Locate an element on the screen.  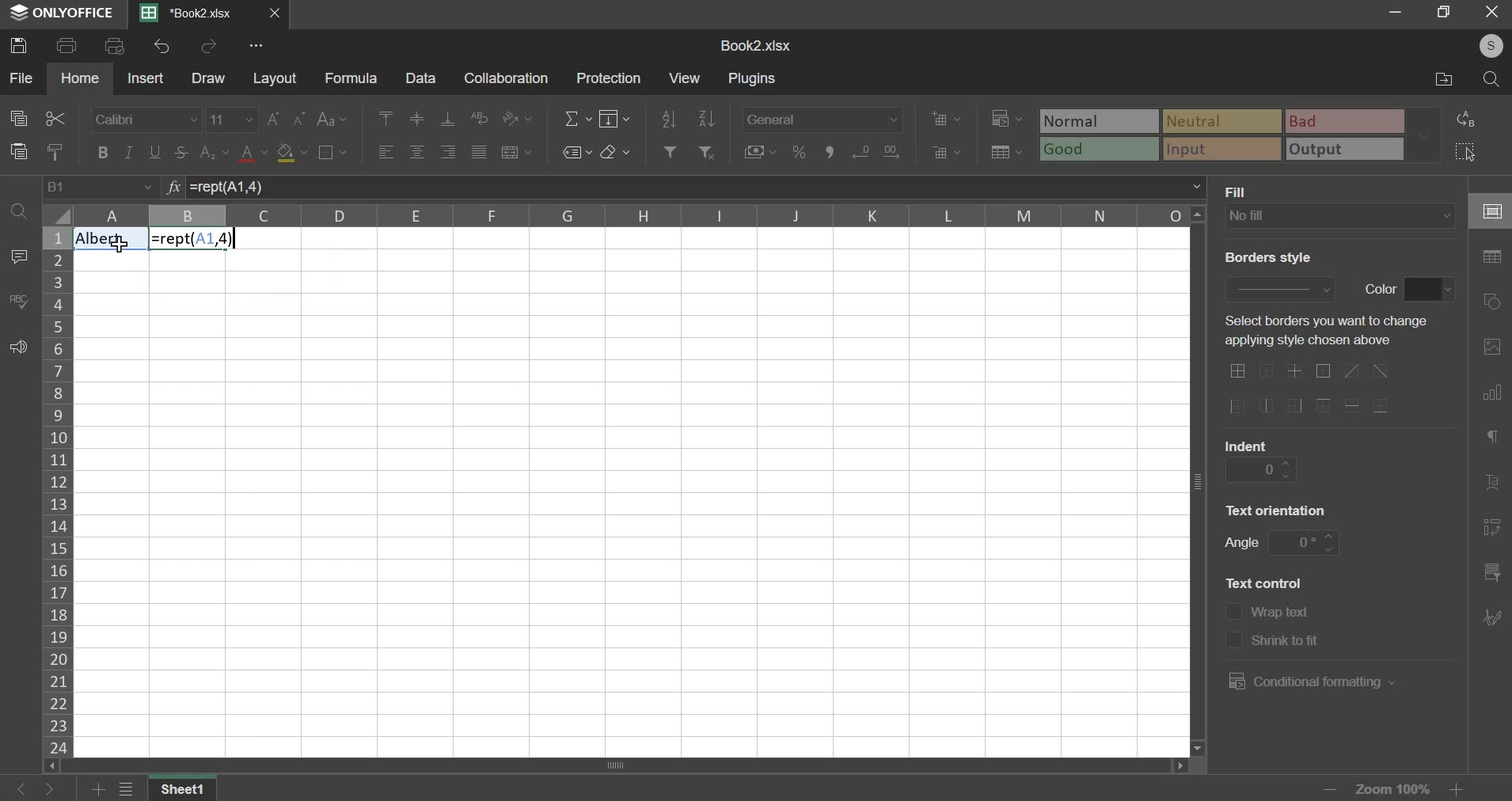
cut is located at coordinates (55, 117).